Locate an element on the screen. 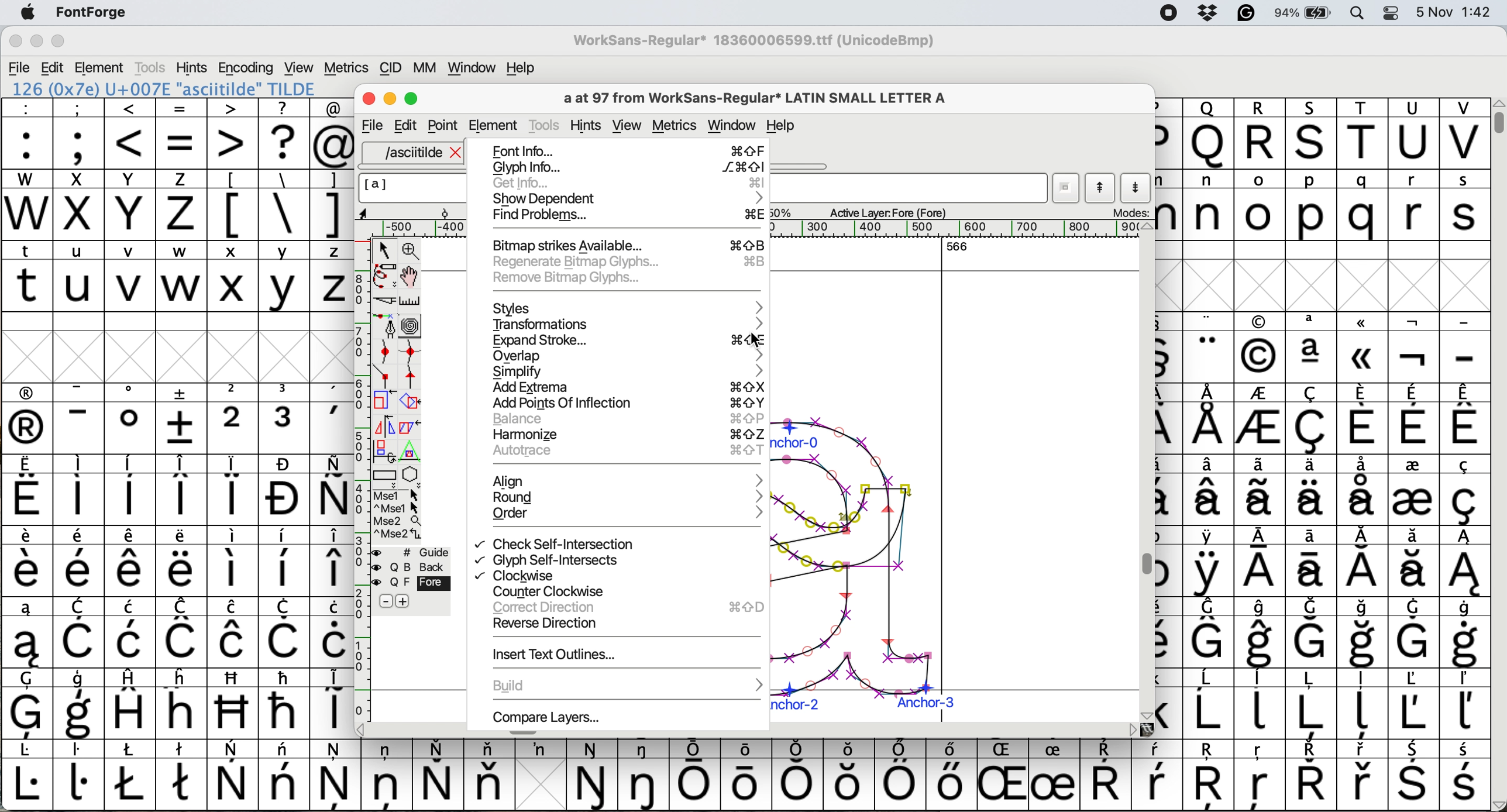 The width and height of the screenshot is (1507, 812). Y is located at coordinates (132, 205).